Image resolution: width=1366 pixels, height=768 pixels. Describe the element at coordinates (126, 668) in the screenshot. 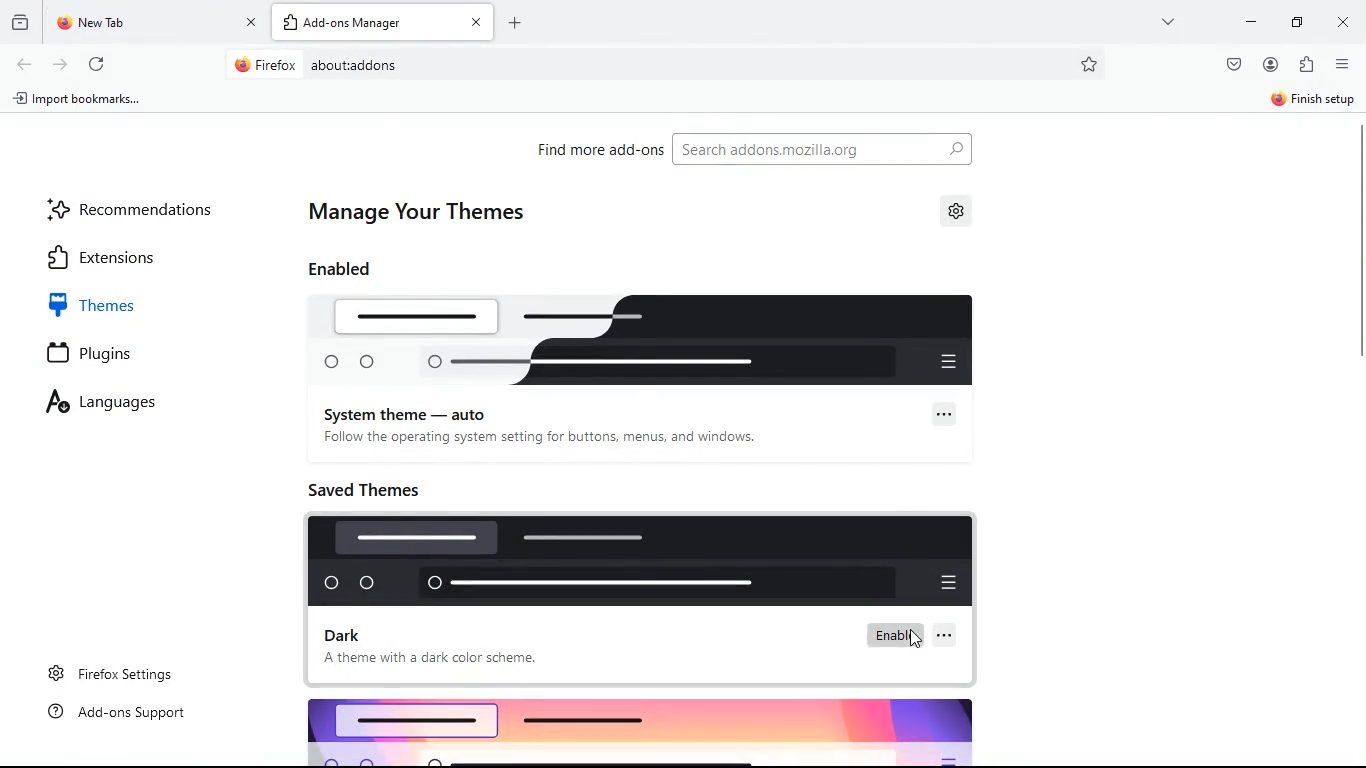

I see `firefox settings` at that location.